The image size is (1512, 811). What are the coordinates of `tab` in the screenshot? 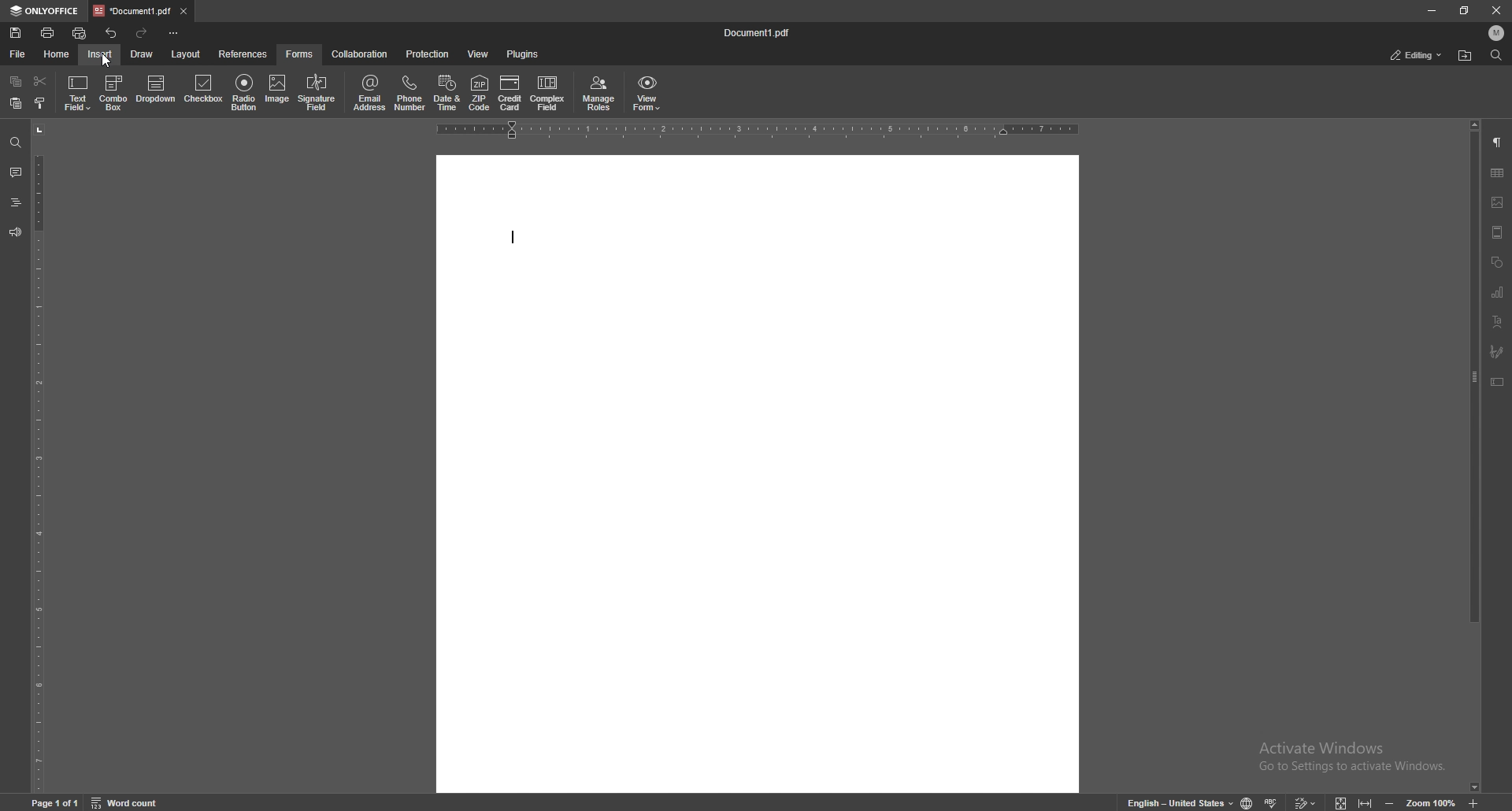 It's located at (132, 11).